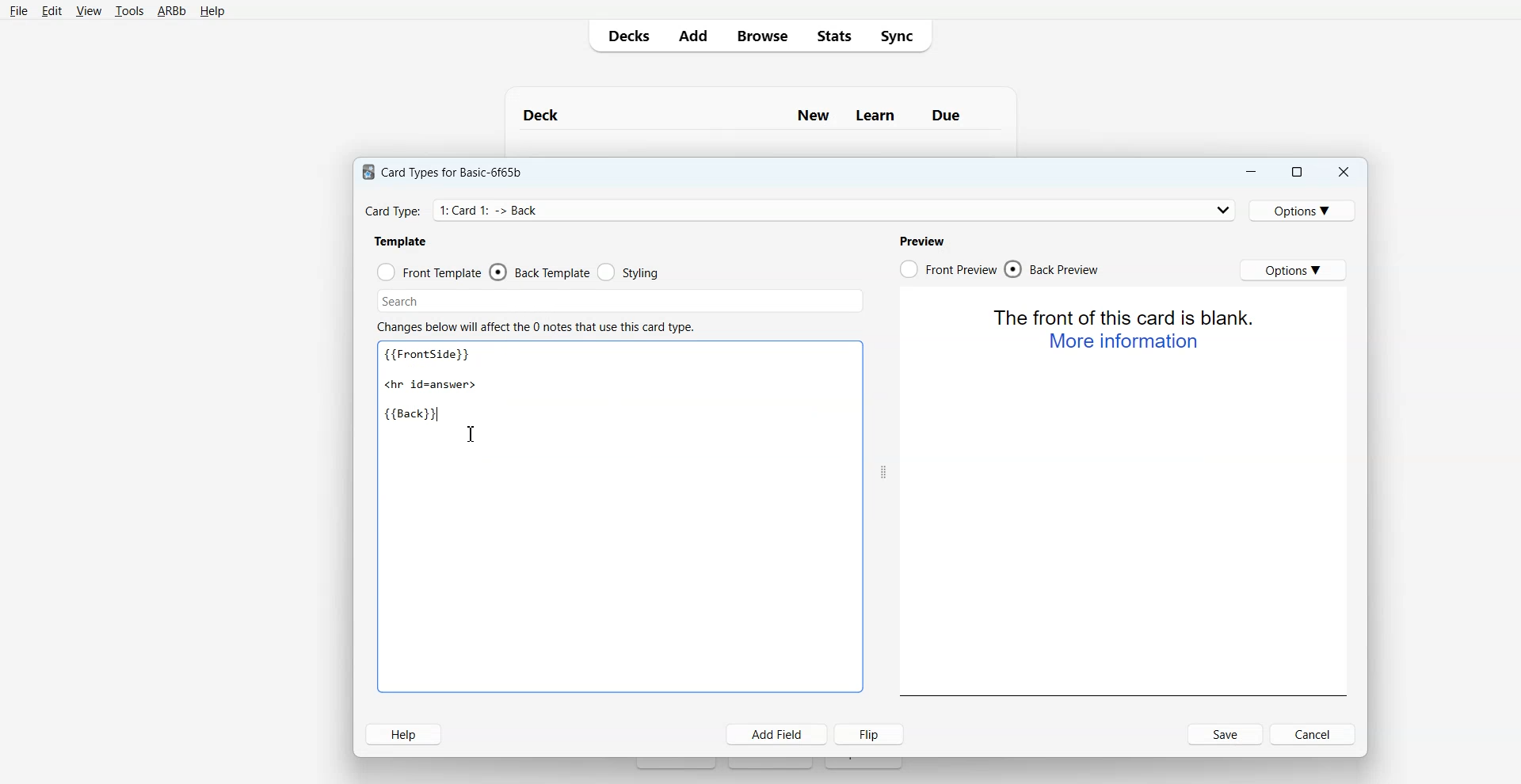 This screenshot has height=784, width=1521. Describe the element at coordinates (211, 12) in the screenshot. I see `Help` at that location.